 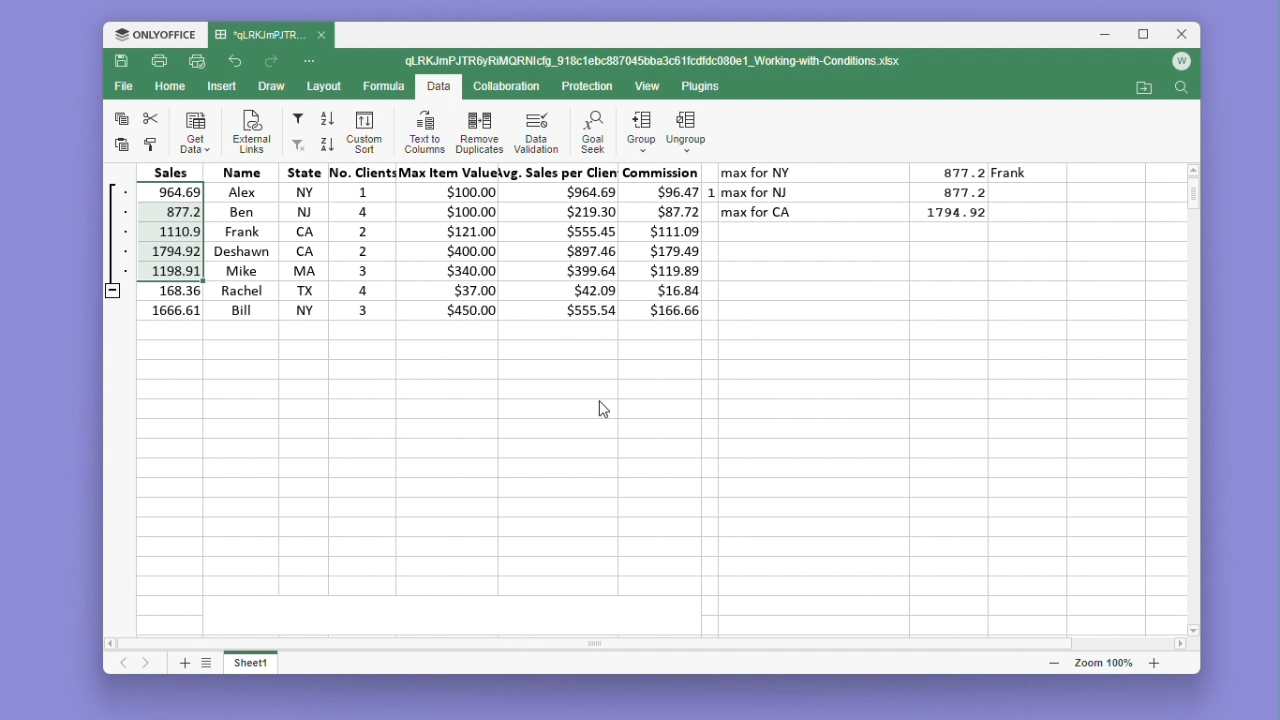 I want to click on sort ascending, so click(x=328, y=119).